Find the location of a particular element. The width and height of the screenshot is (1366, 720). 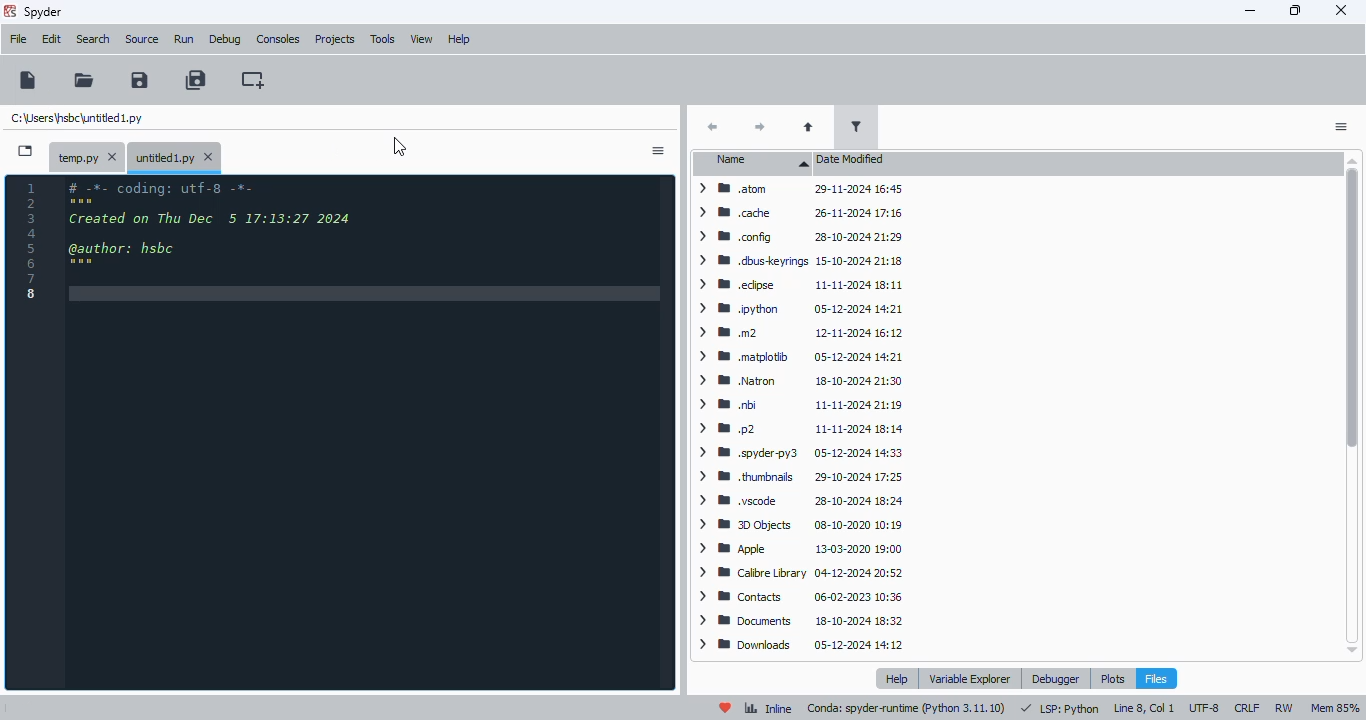

> IB Calibre Library 04-12-2024 20:52 is located at coordinates (798, 574).